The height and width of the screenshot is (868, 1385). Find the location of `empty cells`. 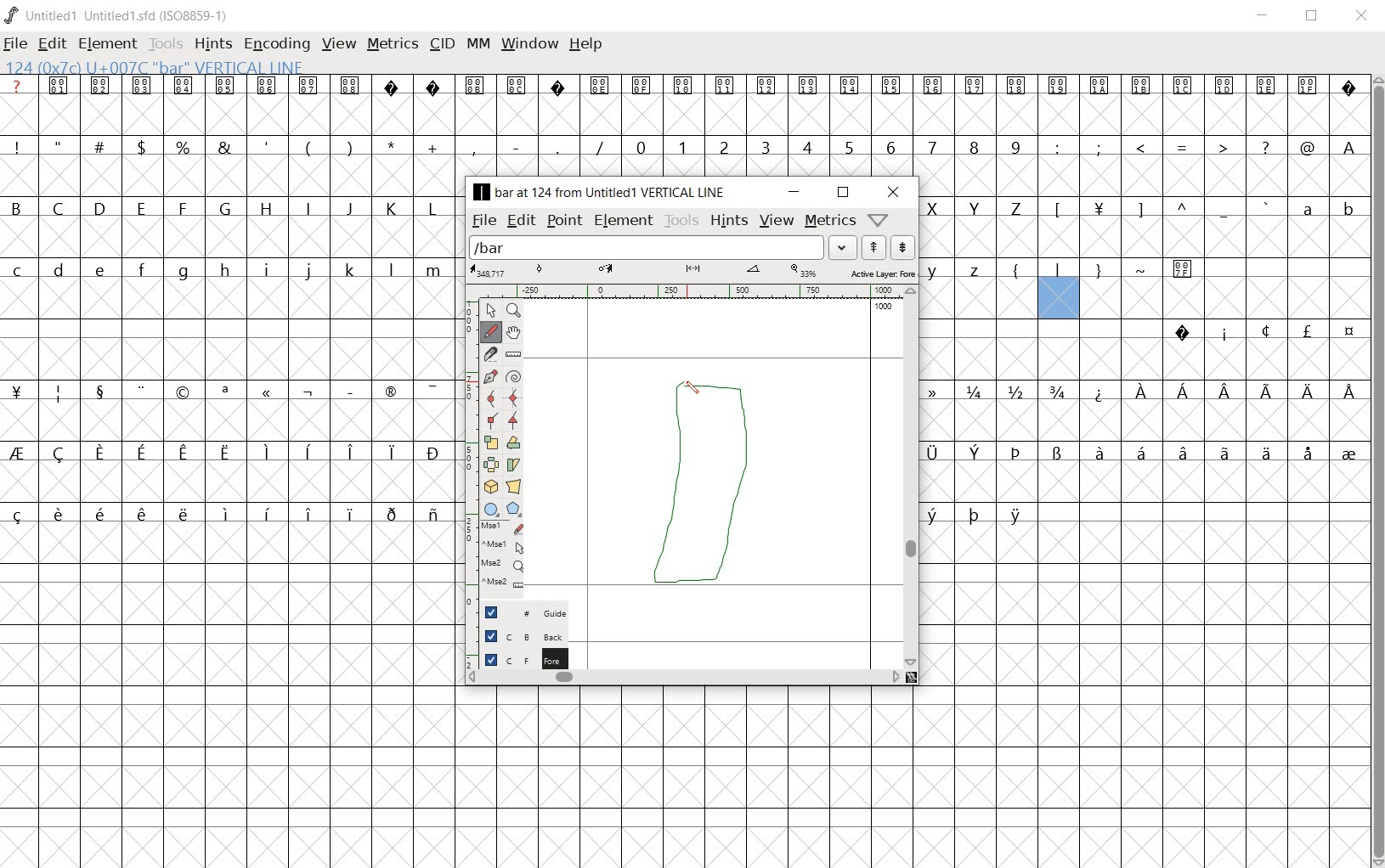

empty cells is located at coordinates (1145, 603).